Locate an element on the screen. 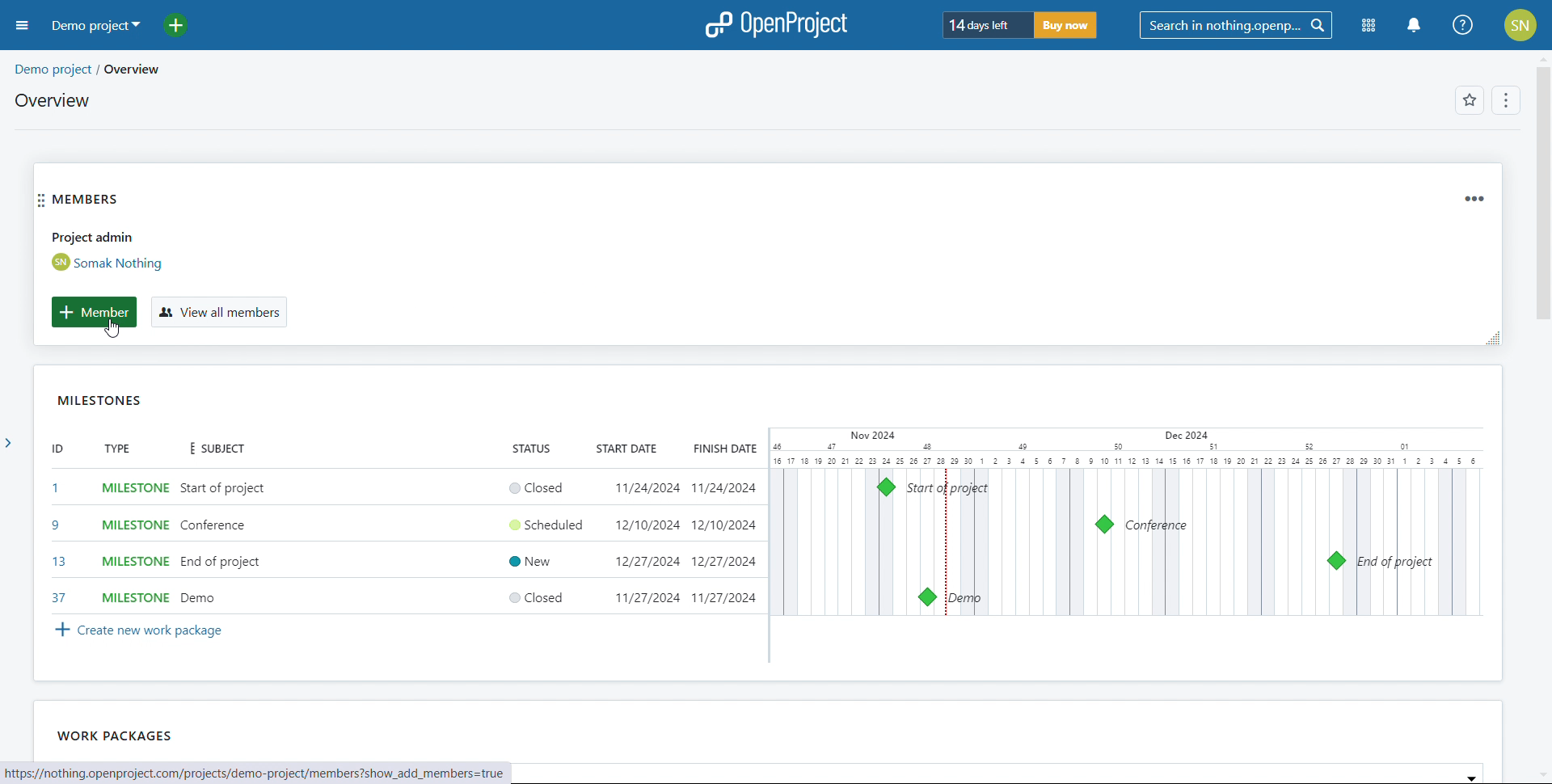  MILESTONE is located at coordinates (134, 597).